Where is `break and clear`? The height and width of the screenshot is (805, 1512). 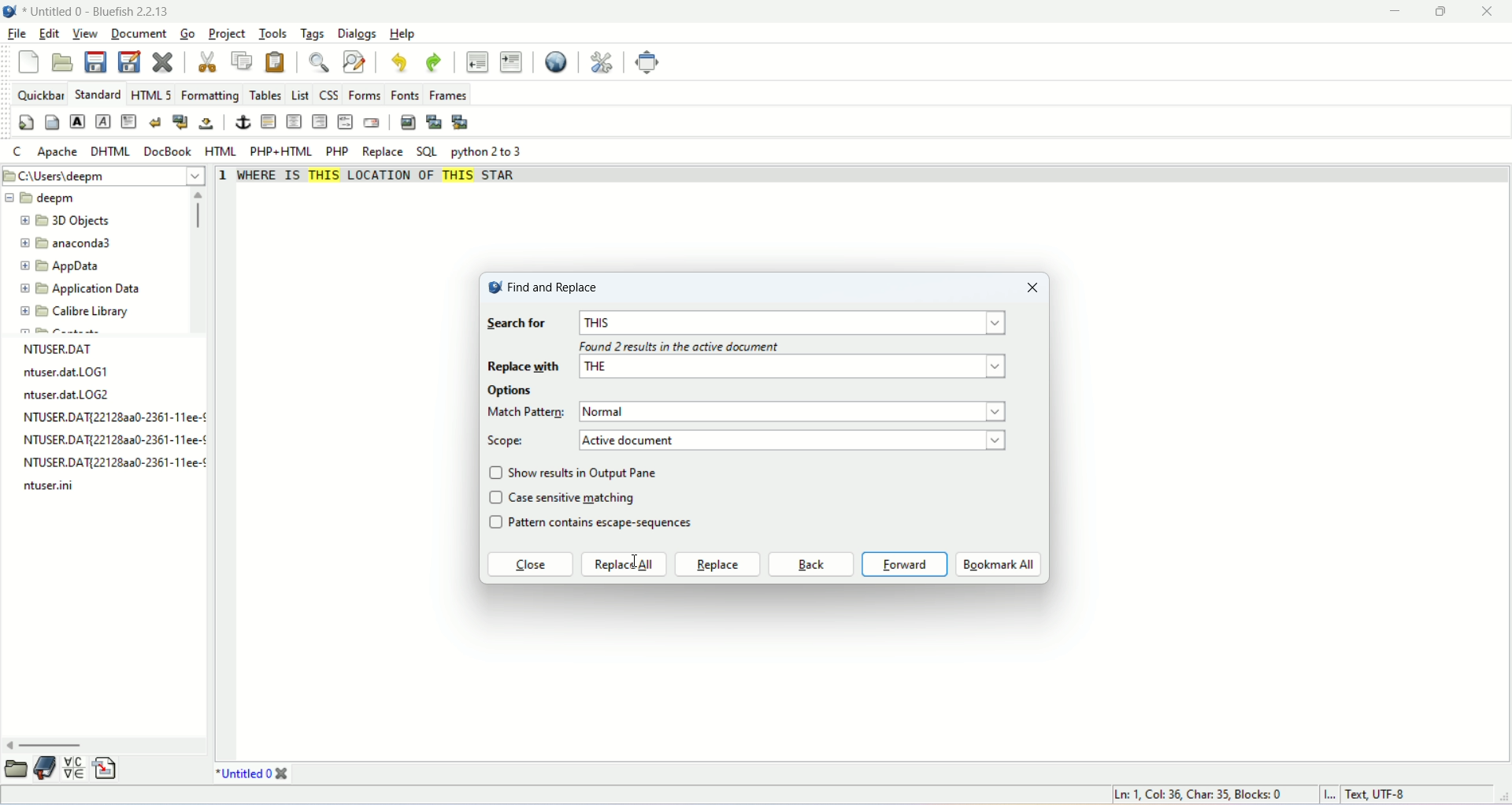 break and clear is located at coordinates (180, 121).